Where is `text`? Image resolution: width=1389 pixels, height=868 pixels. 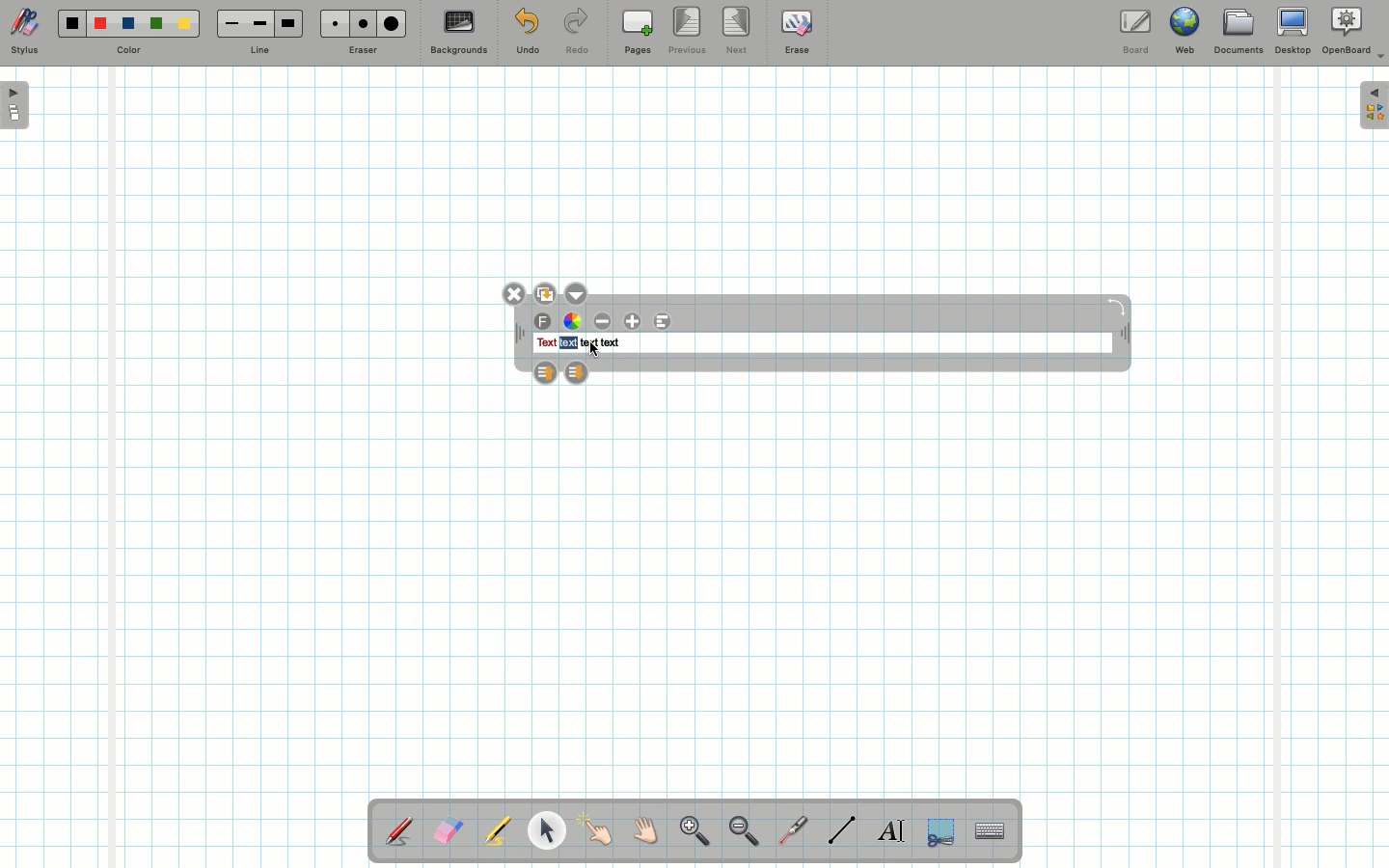 text is located at coordinates (589, 343).